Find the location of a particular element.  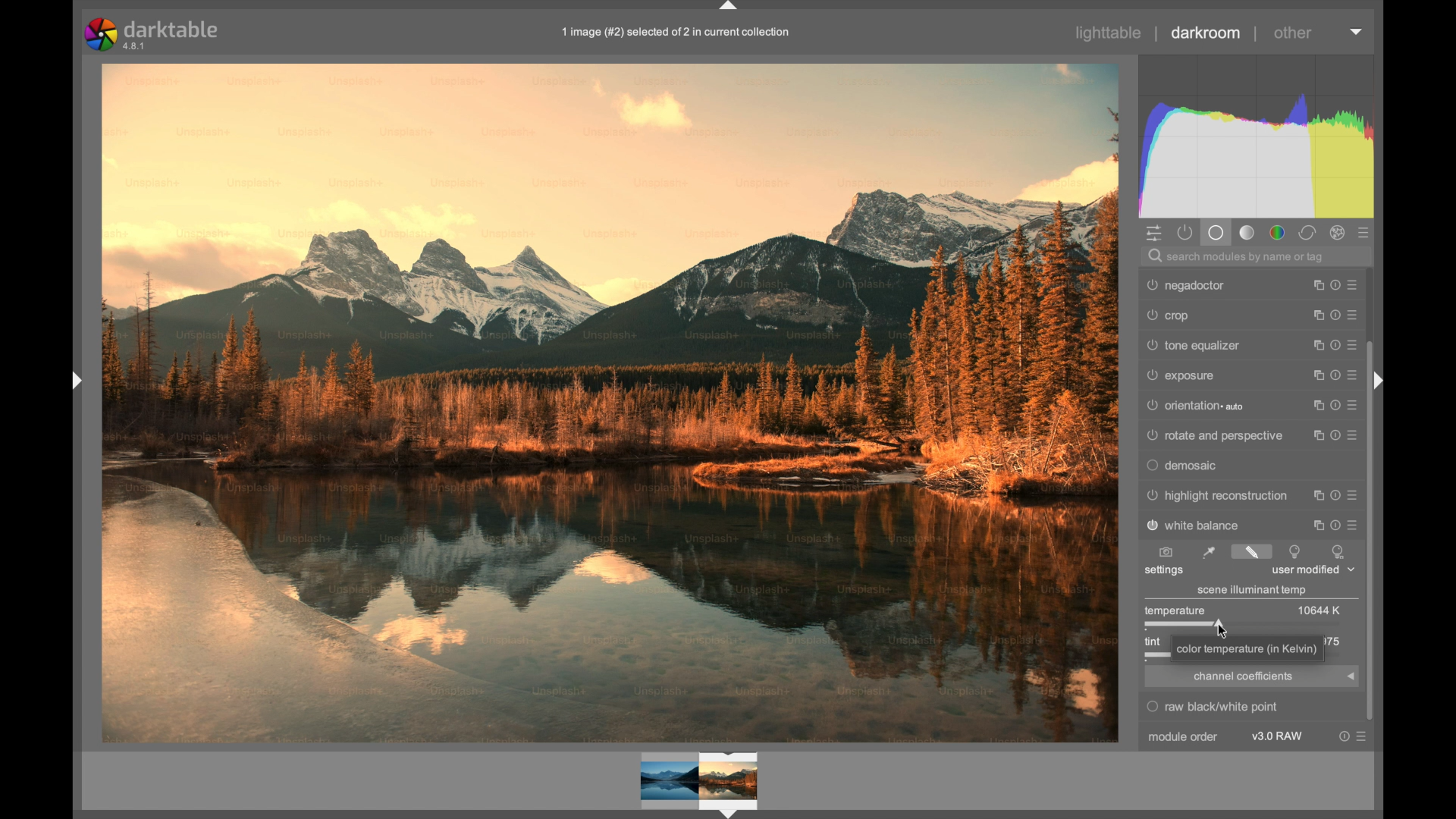

highlight reconstruction is located at coordinates (1216, 494).